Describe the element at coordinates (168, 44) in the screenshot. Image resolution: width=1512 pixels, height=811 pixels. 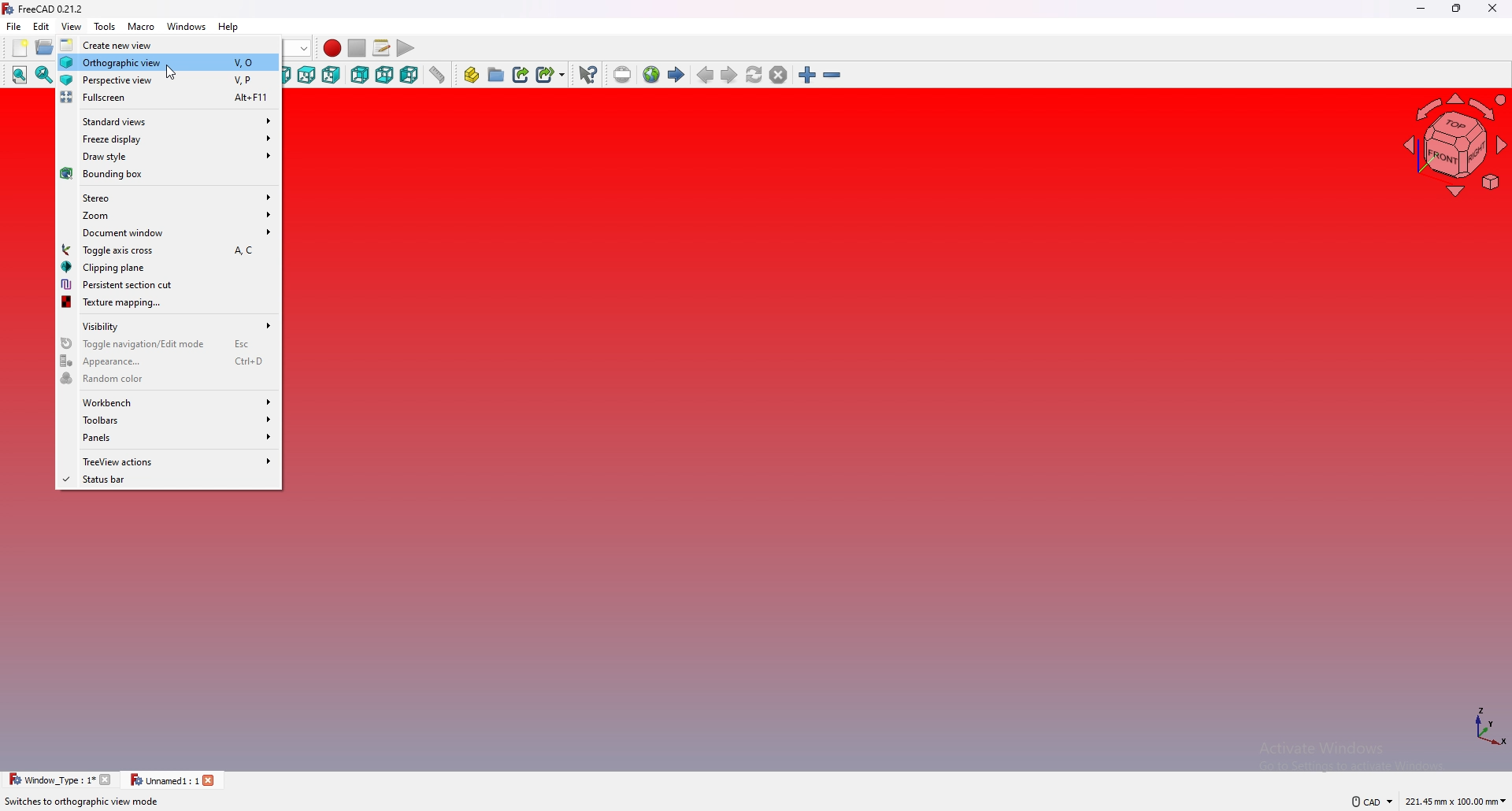
I see `create new view` at that location.